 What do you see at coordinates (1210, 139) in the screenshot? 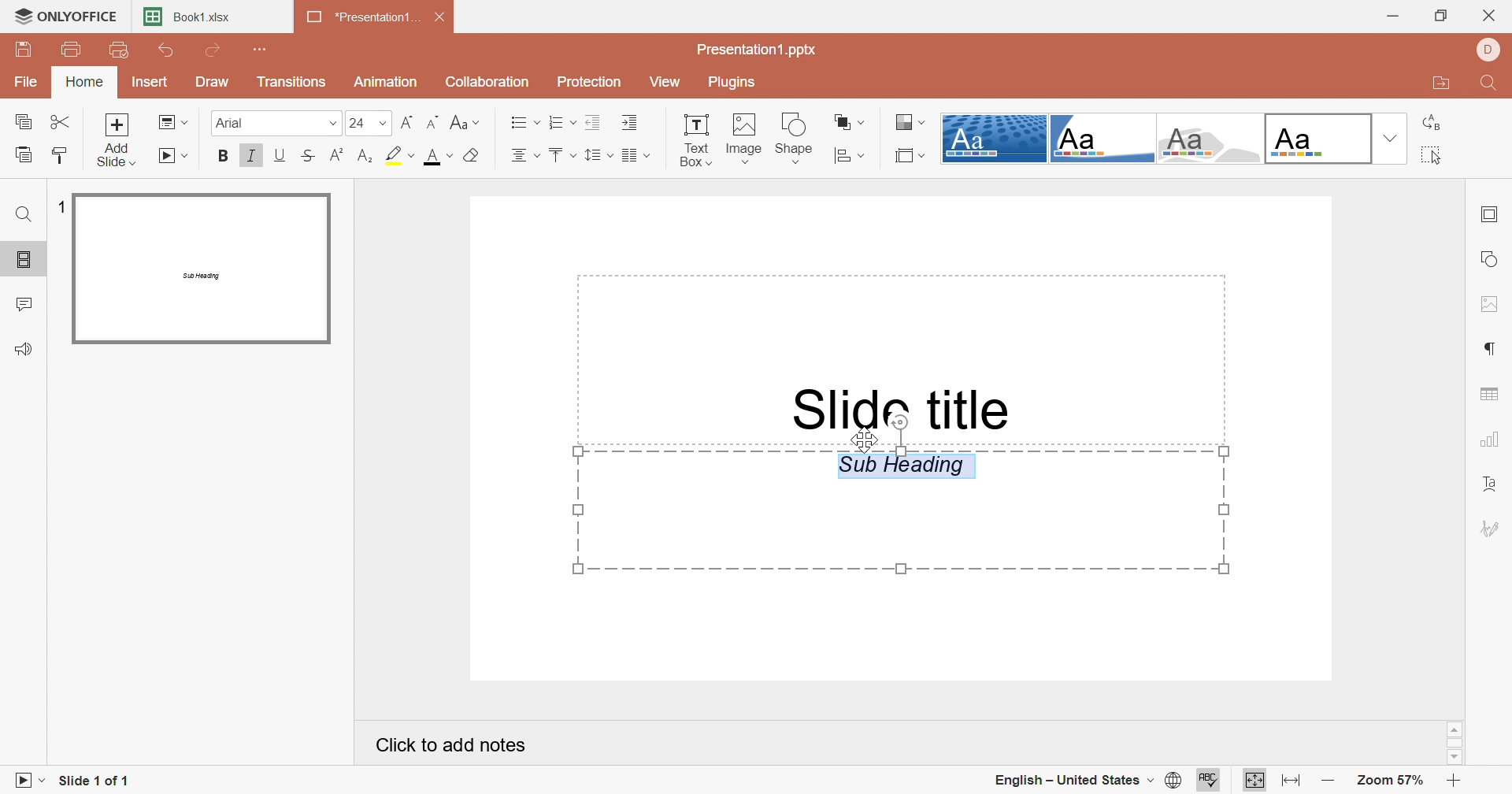
I see `Turtle` at bounding box center [1210, 139].